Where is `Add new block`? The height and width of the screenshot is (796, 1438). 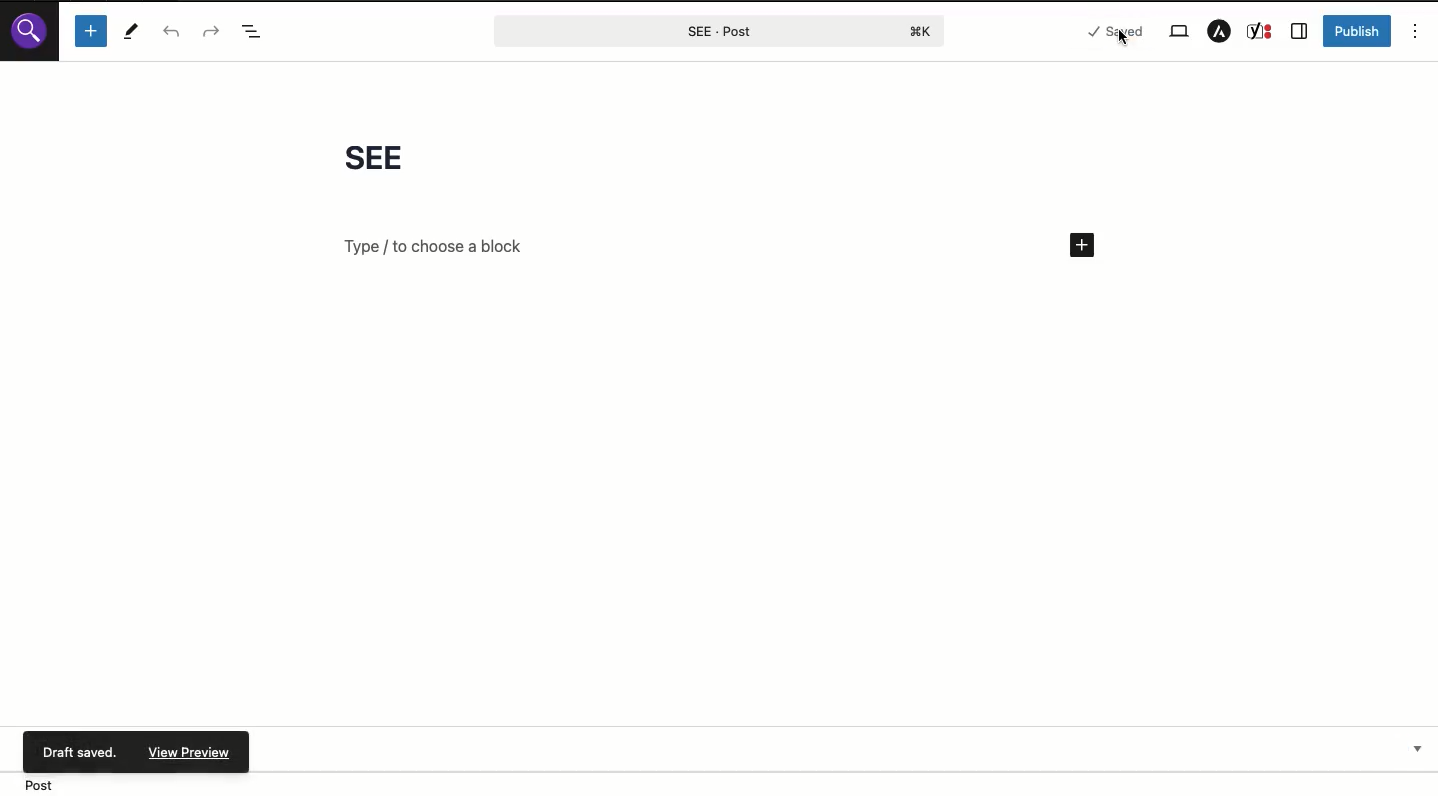 Add new block is located at coordinates (92, 32).